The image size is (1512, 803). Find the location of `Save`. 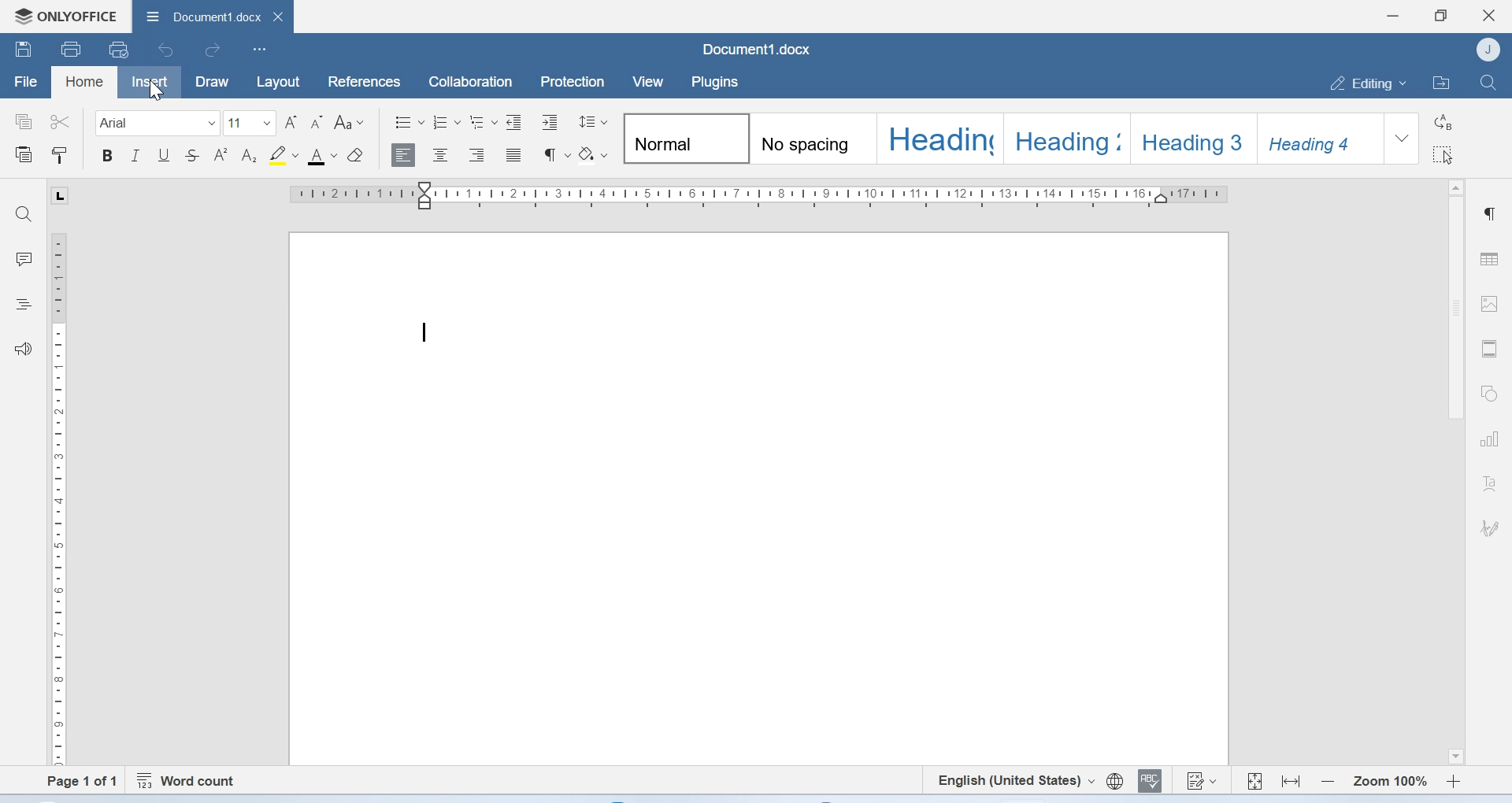

Save is located at coordinates (24, 51).